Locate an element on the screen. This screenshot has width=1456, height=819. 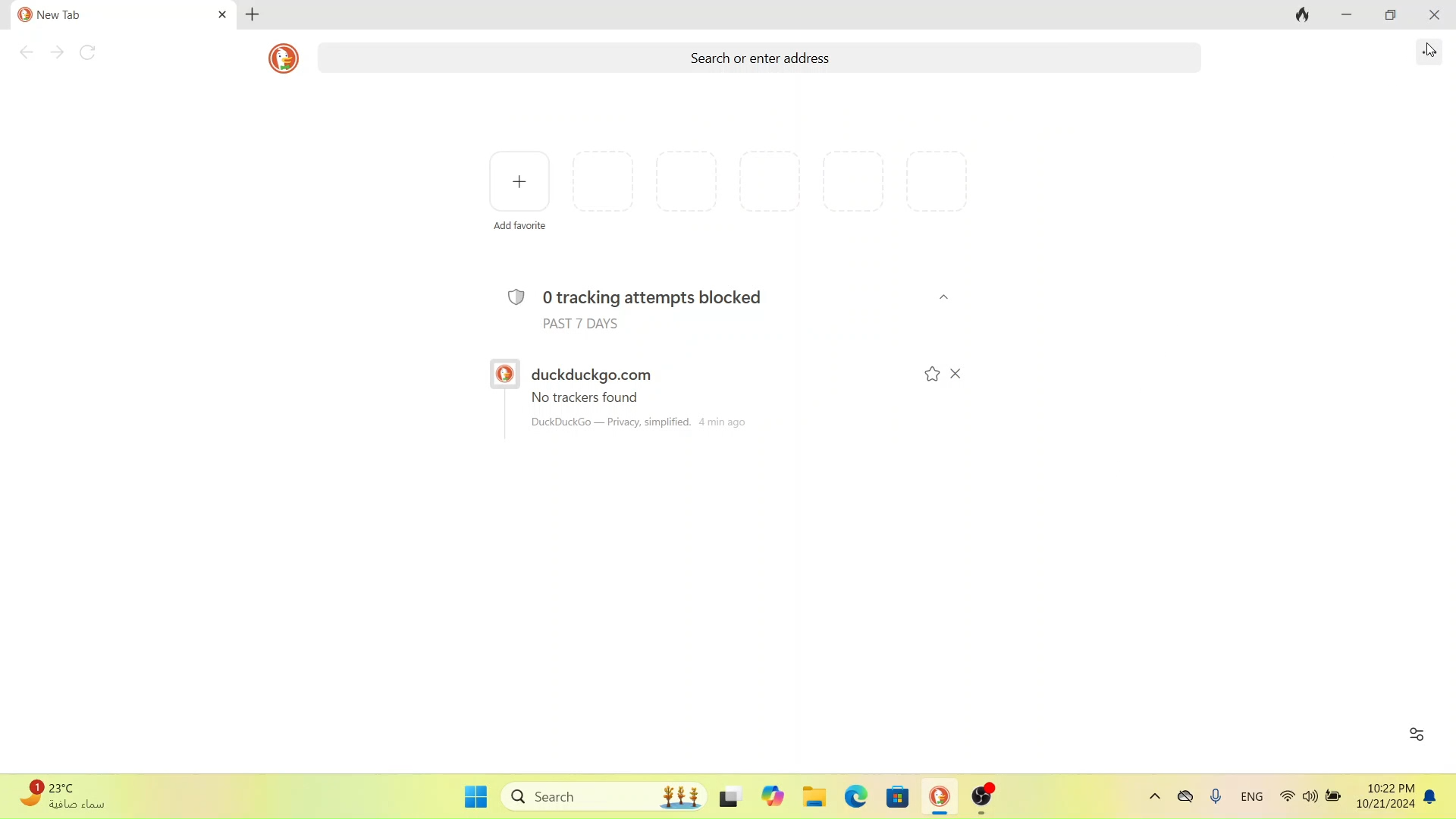
mark star is located at coordinates (933, 374).